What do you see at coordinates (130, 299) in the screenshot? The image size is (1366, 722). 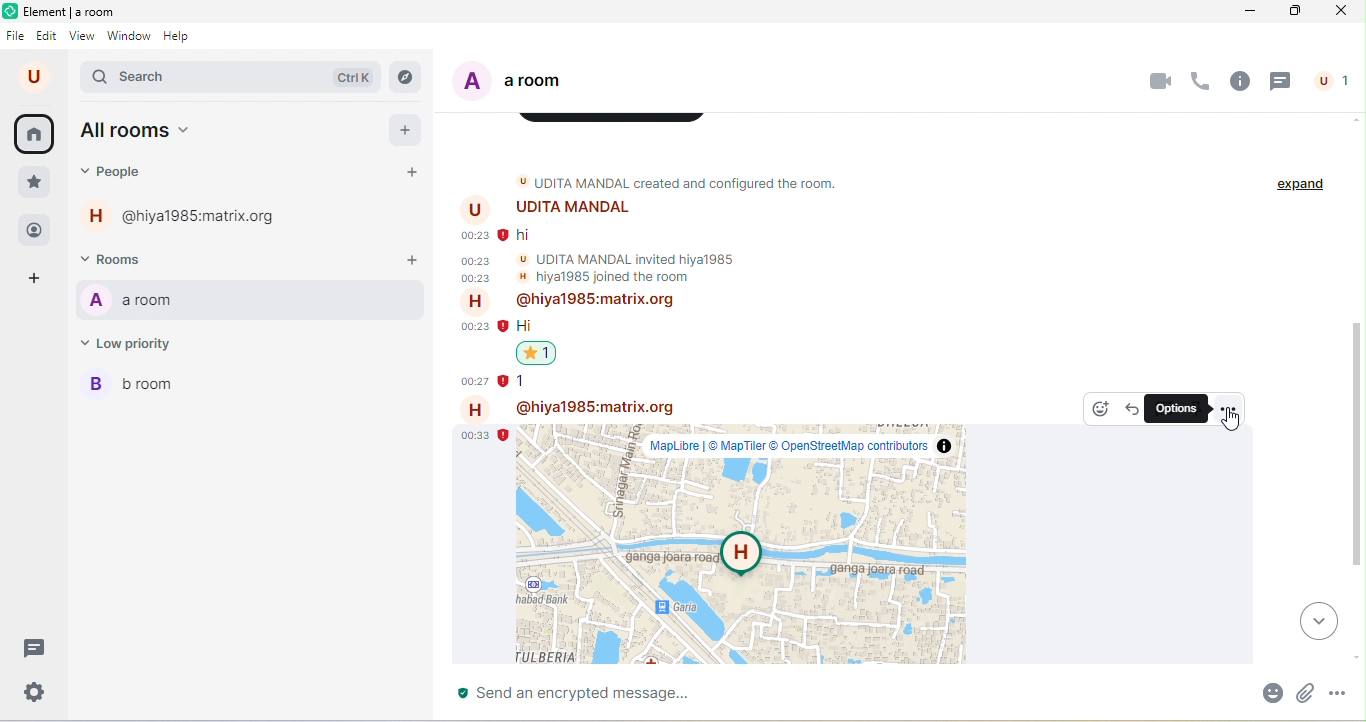 I see `a room` at bounding box center [130, 299].